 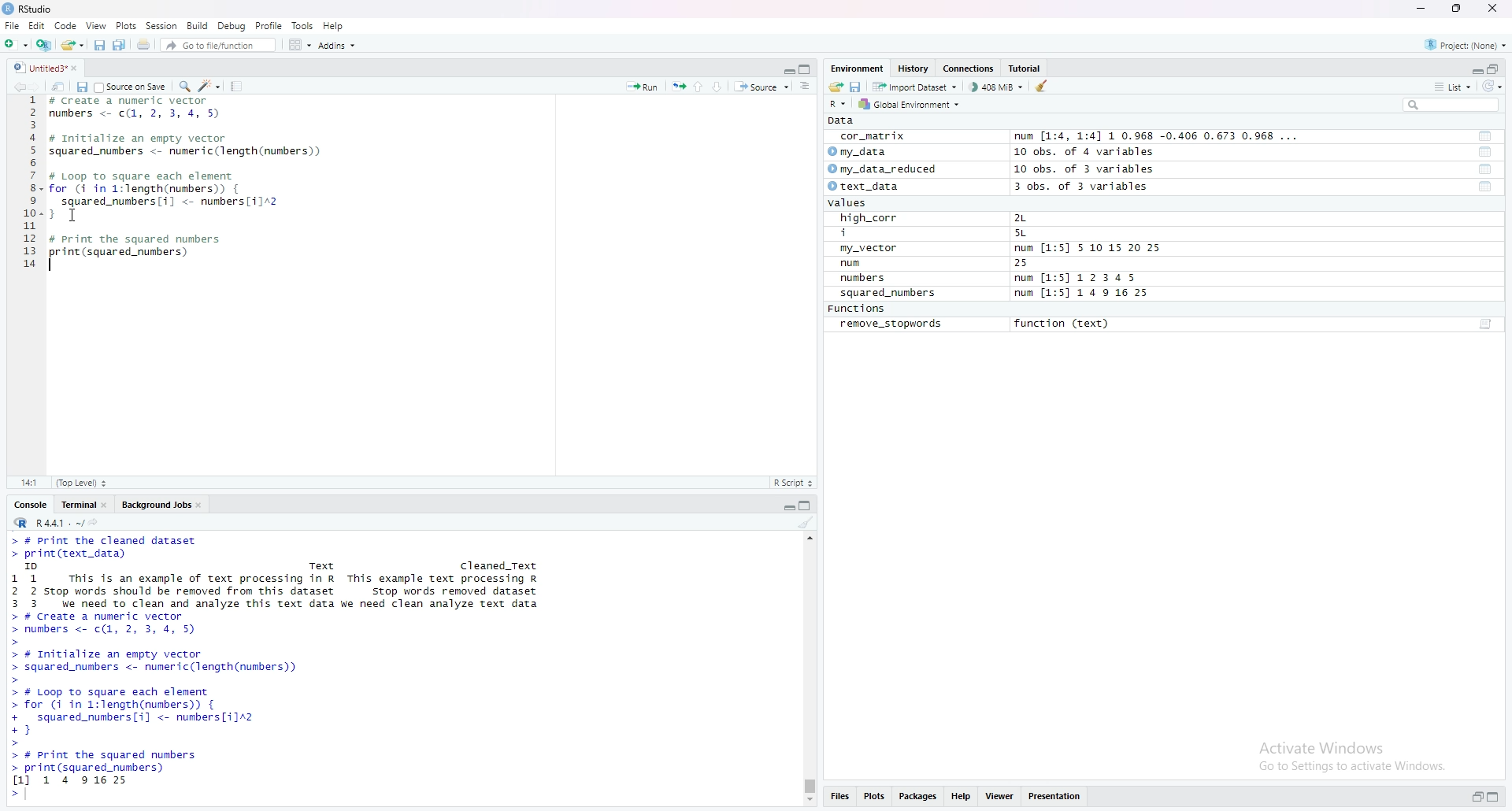 What do you see at coordinates (81, 86) in the screenshot?
I see `save` at bounding box center [81, 86].